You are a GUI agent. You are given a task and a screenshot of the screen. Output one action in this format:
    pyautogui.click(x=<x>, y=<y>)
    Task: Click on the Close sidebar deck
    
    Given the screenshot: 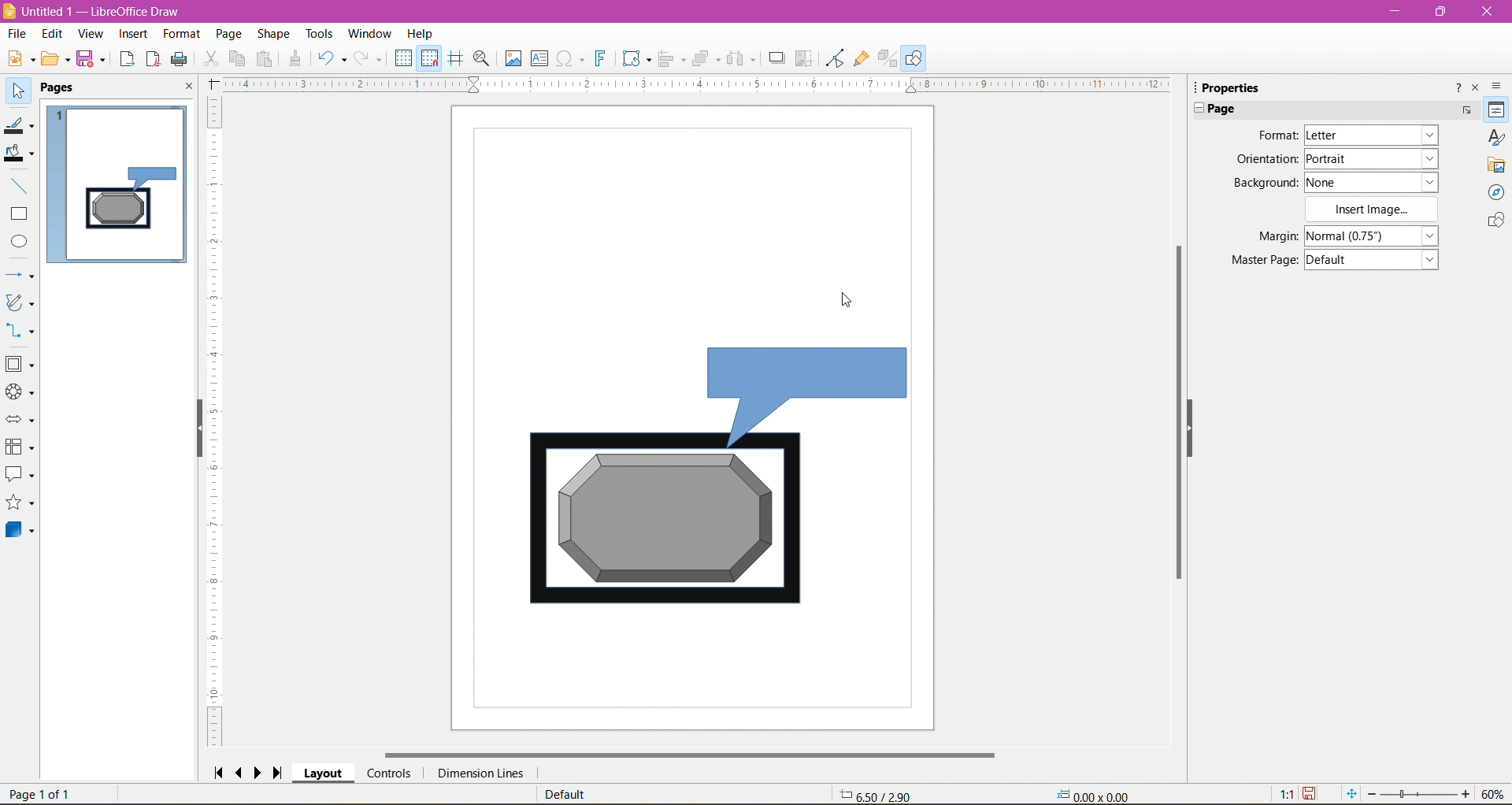 What is the action you would take?
    pyautogui.click(x=1477, y=88)
    